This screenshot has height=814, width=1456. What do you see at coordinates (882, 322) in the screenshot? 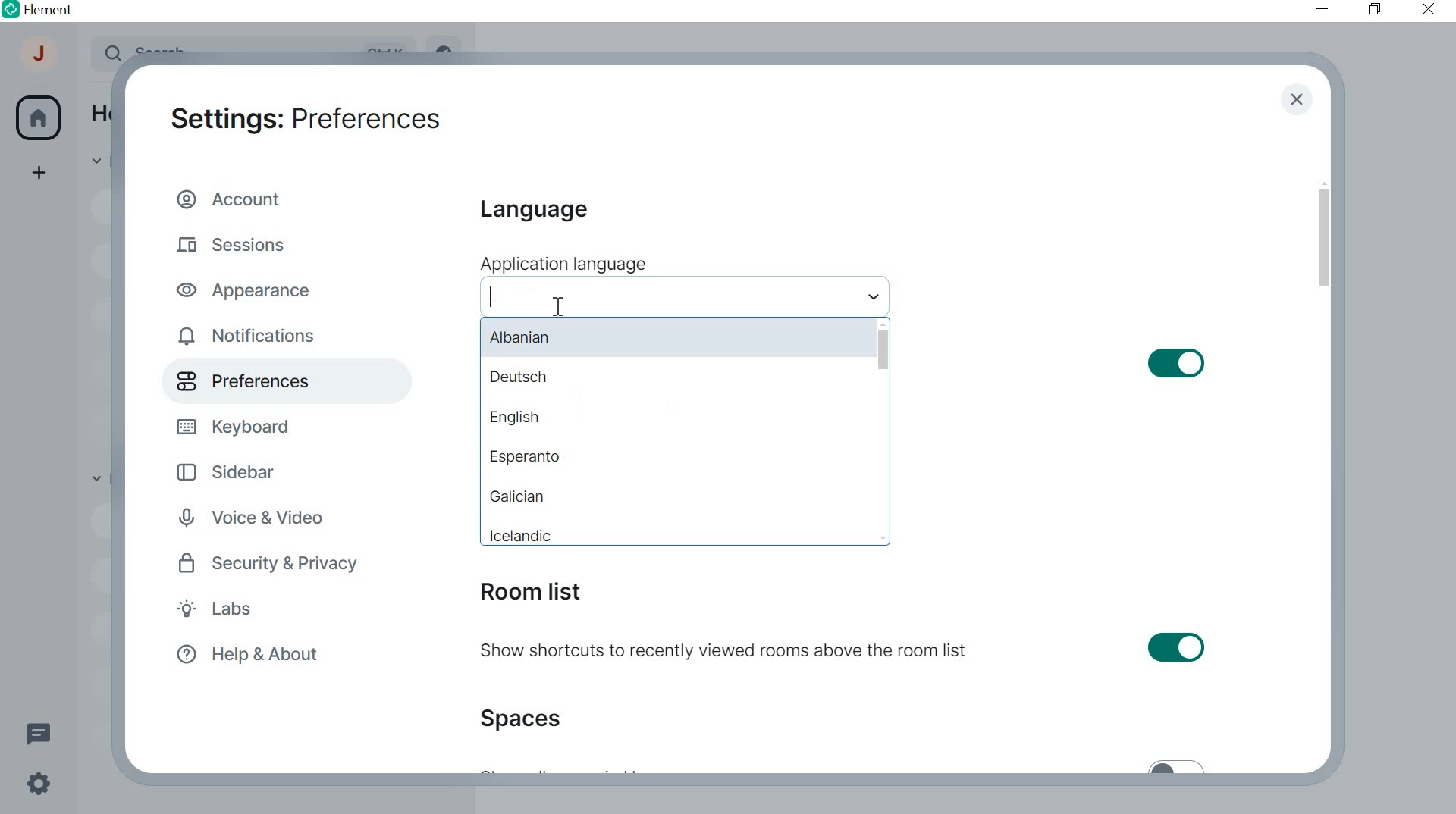
I see `scroll up` at bounding box center [882, 322].